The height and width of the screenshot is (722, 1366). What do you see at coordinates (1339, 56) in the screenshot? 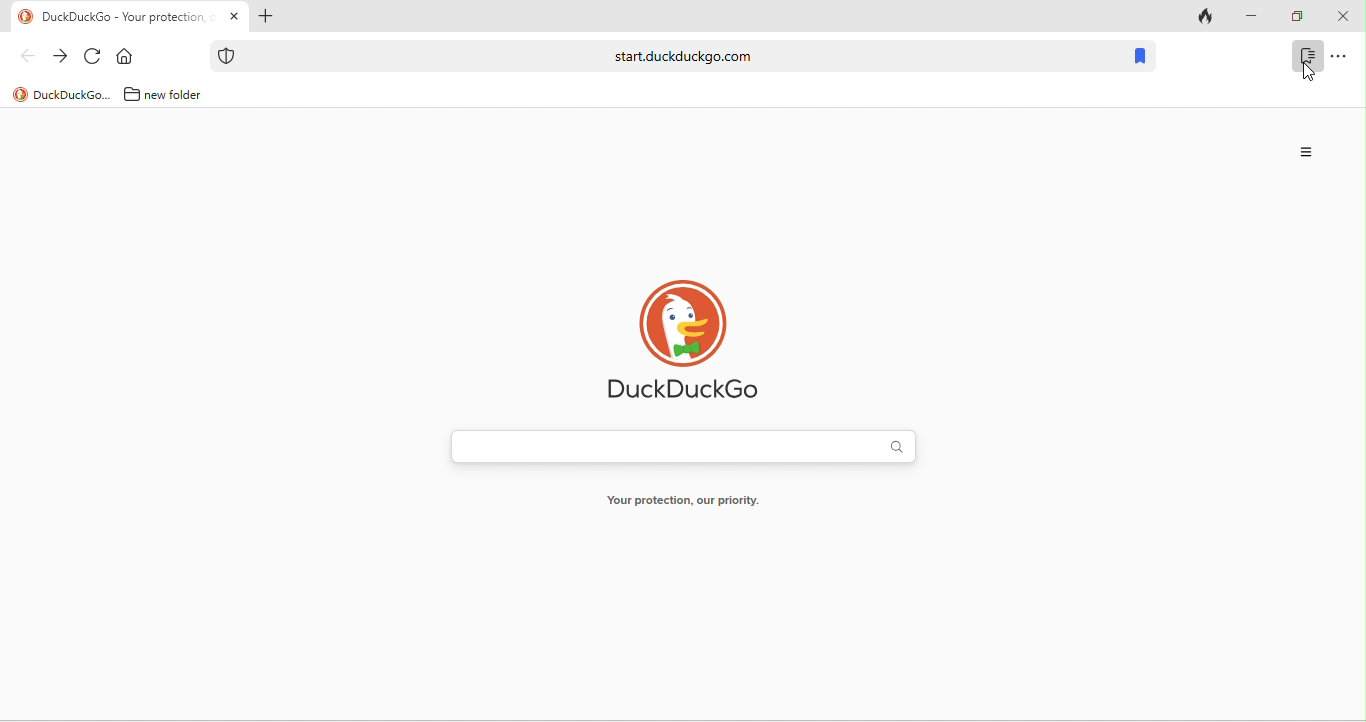
I see `options` at bounding box center [1339, 56].